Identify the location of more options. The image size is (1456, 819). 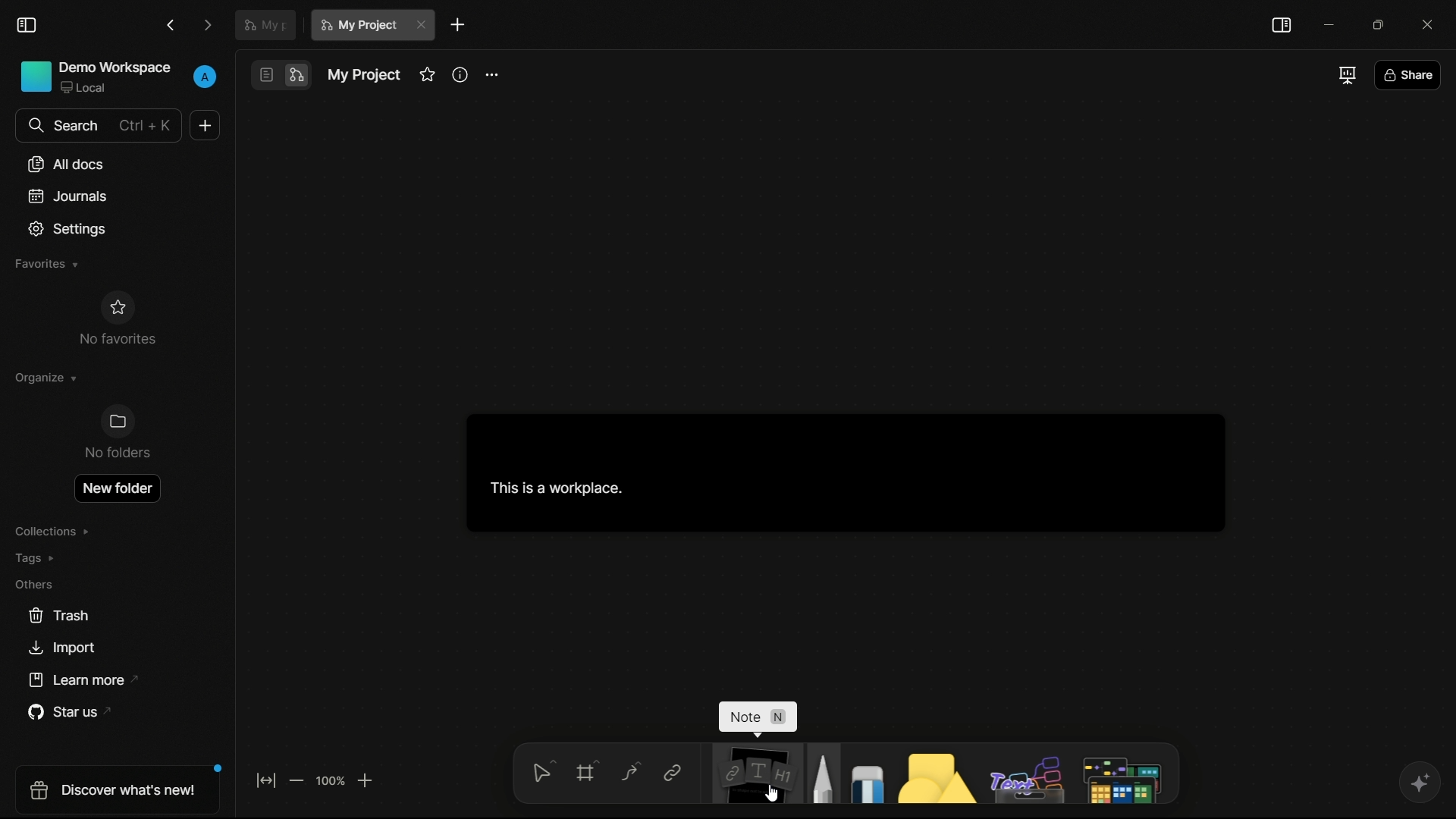
(492, 74).